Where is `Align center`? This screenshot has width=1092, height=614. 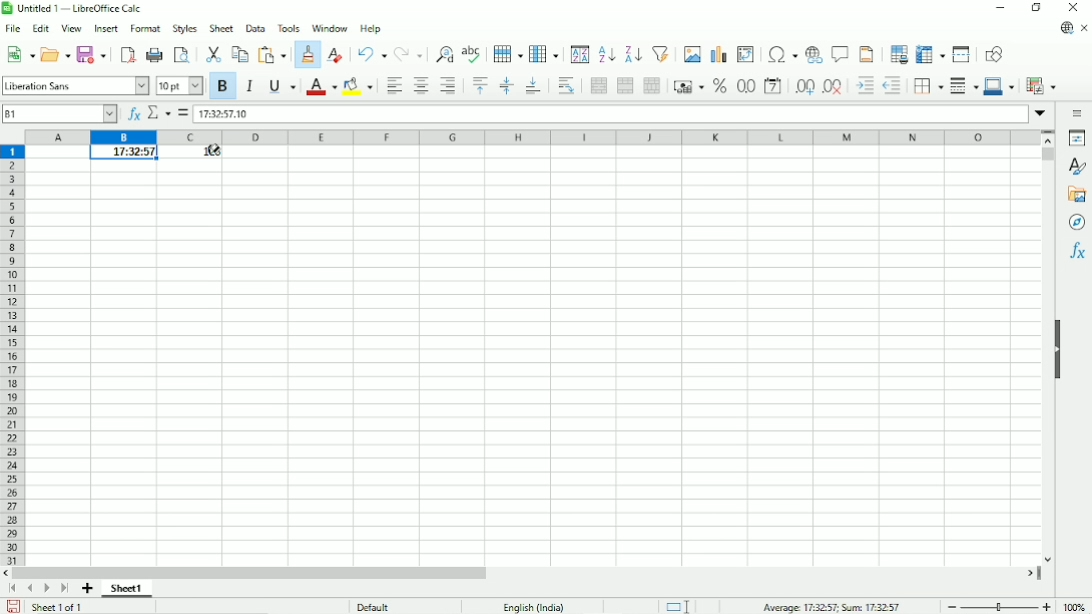
Align center is located at coordinates (421, 85).